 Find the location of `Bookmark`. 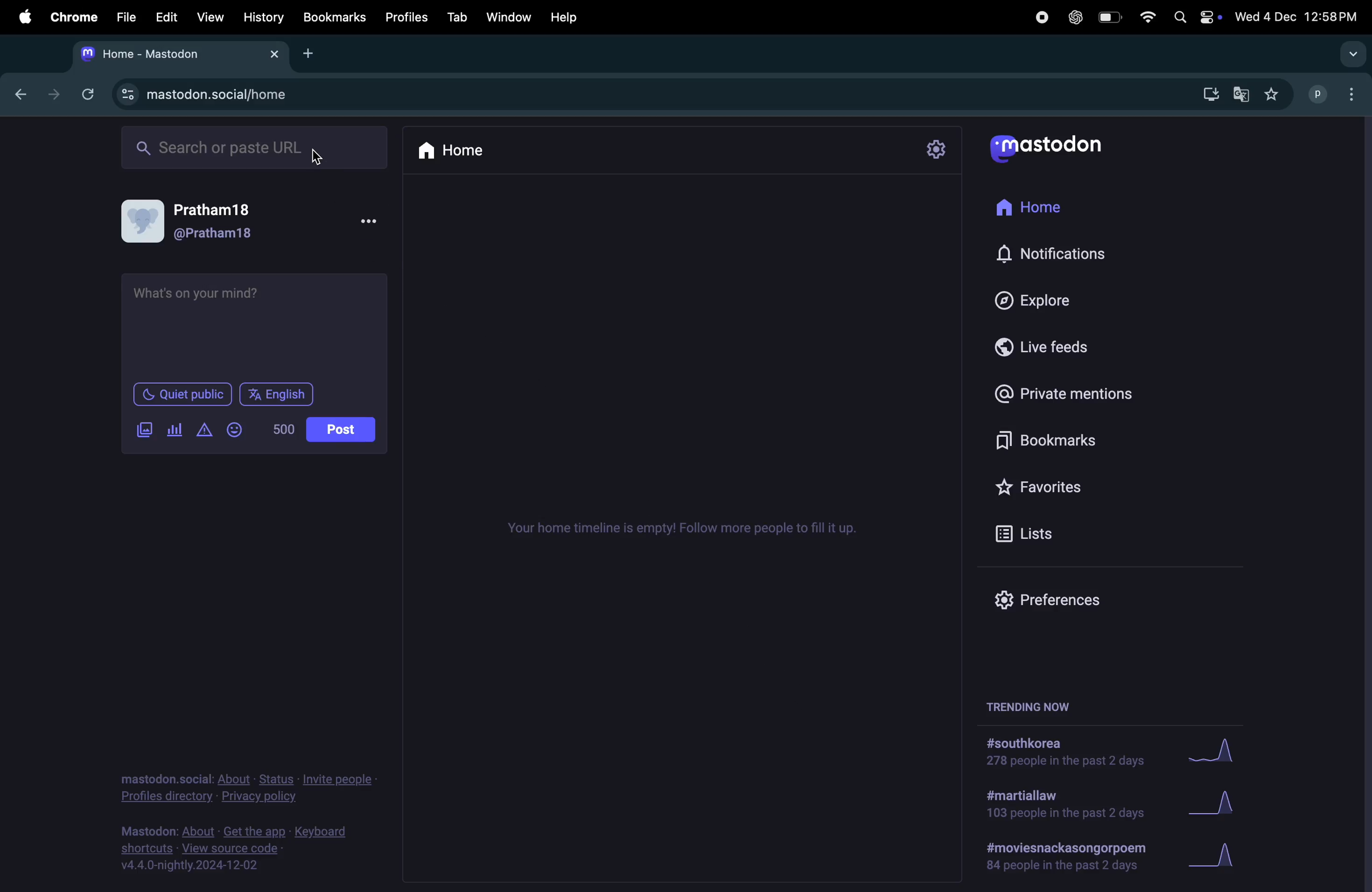

Bookmark is located at coordinates (336, 18).